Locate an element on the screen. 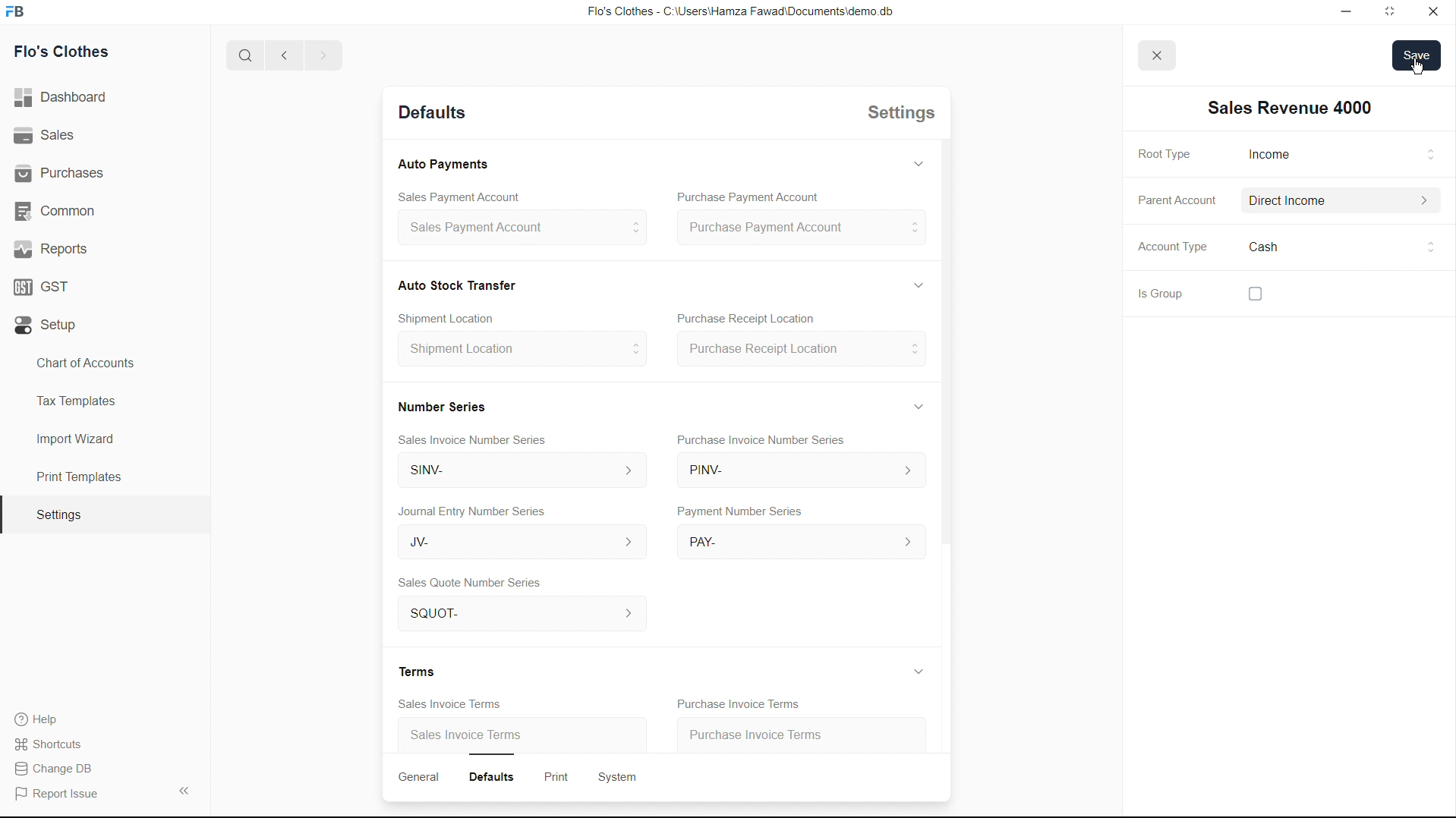 This screenshot has height=818, width=1456. Is Group is located at coordinates (1154, 296).